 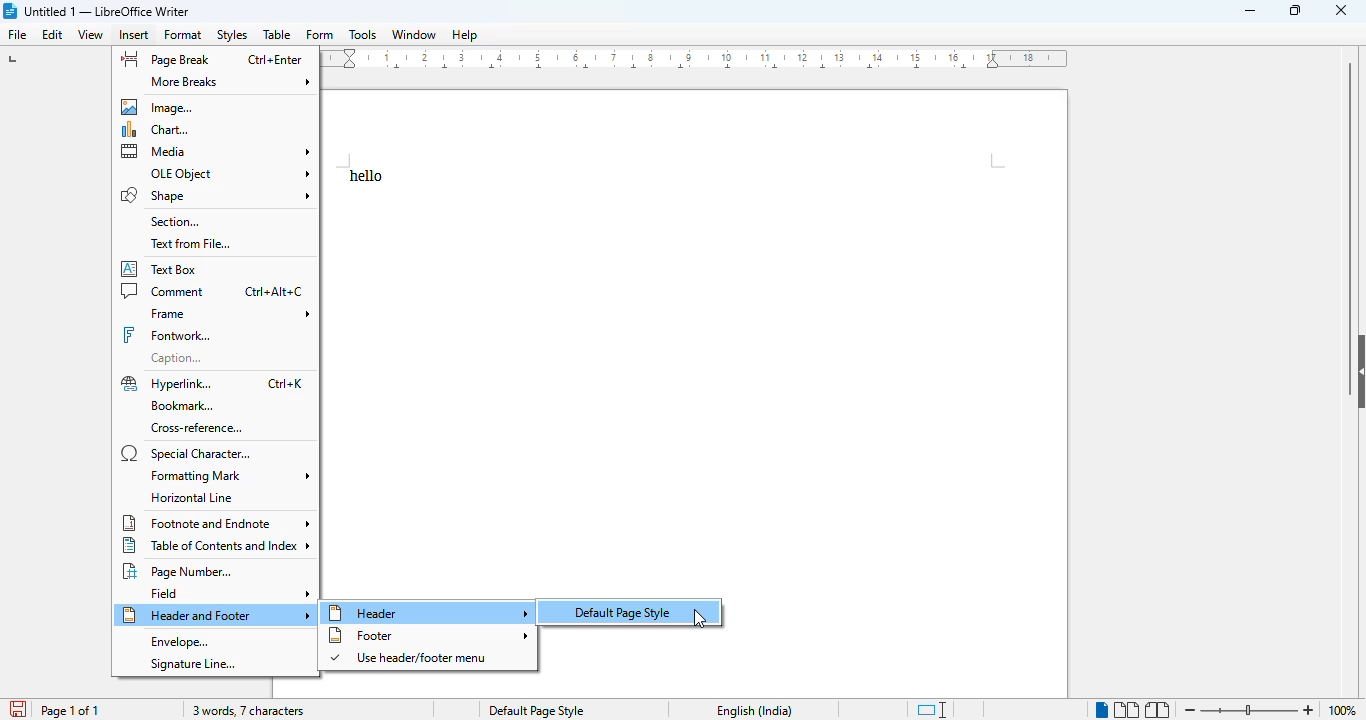 What do you see at coordinates (216, 522) in the screenshot?
I see `footnote and endnote` at bounding box center [216, 522].